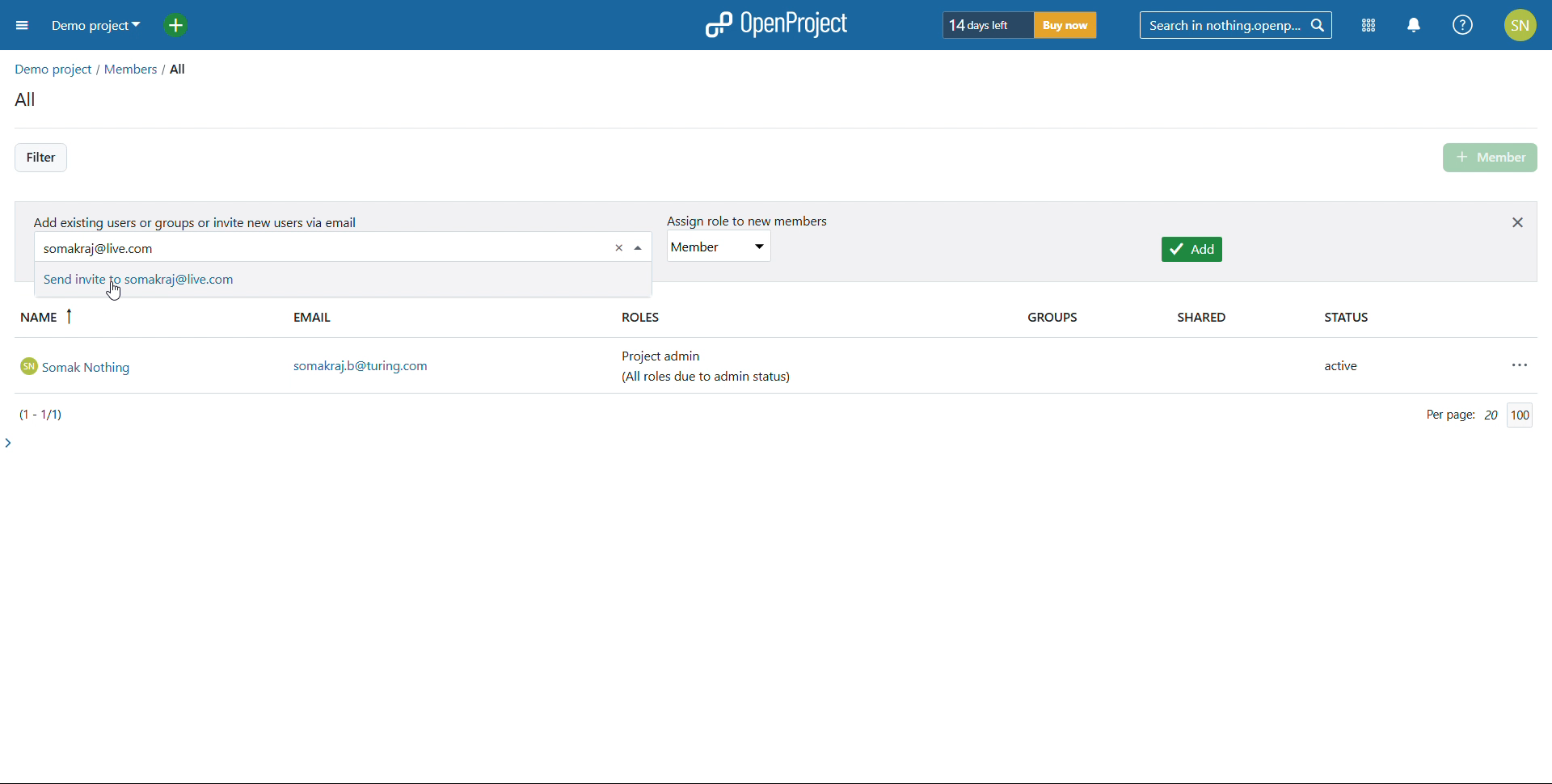  What do you see at coordinates (640, 247) in the screenshot?
I see `close drop down` at bounding box center [640, 247].